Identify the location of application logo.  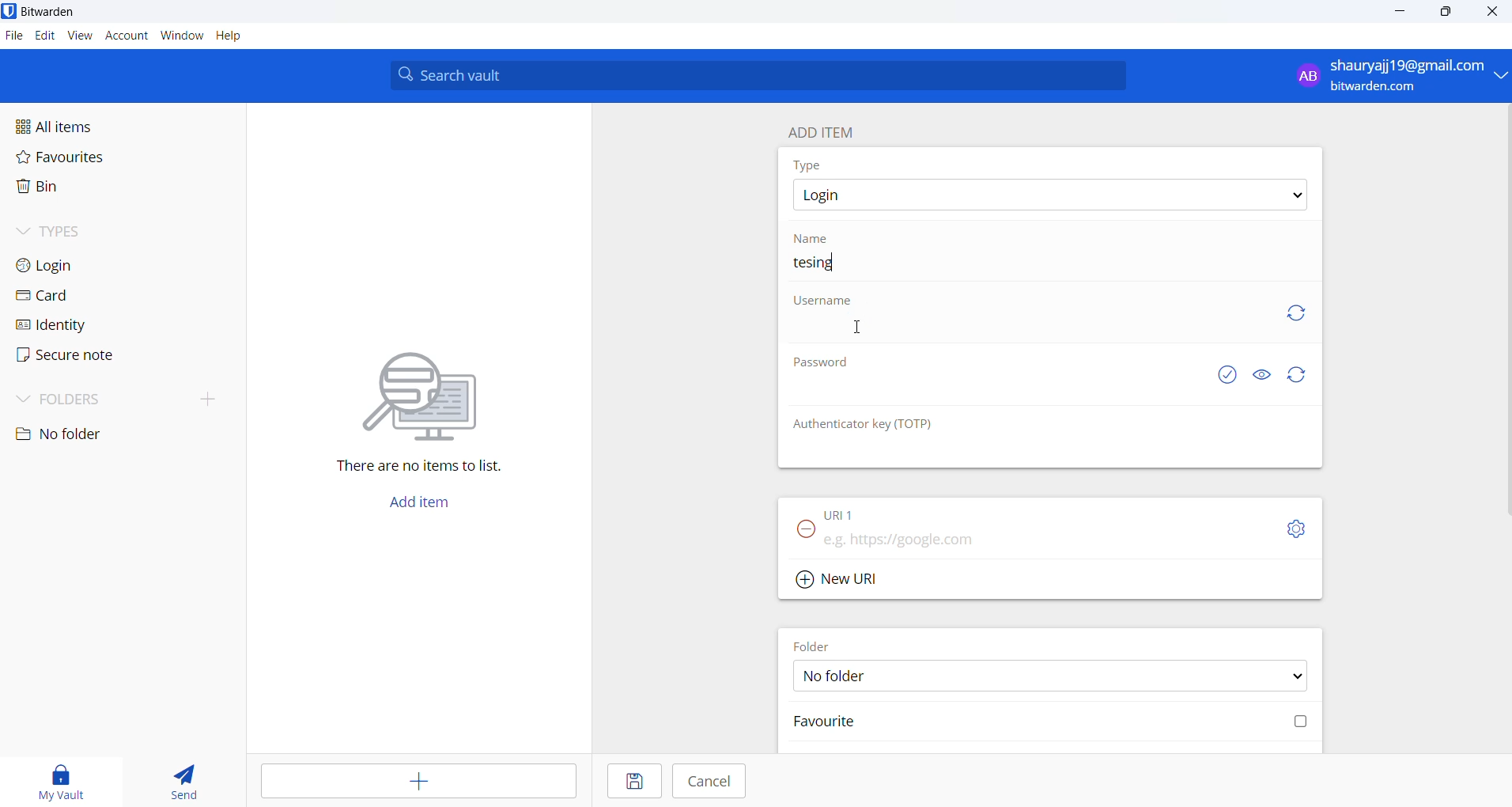
(9, 10).